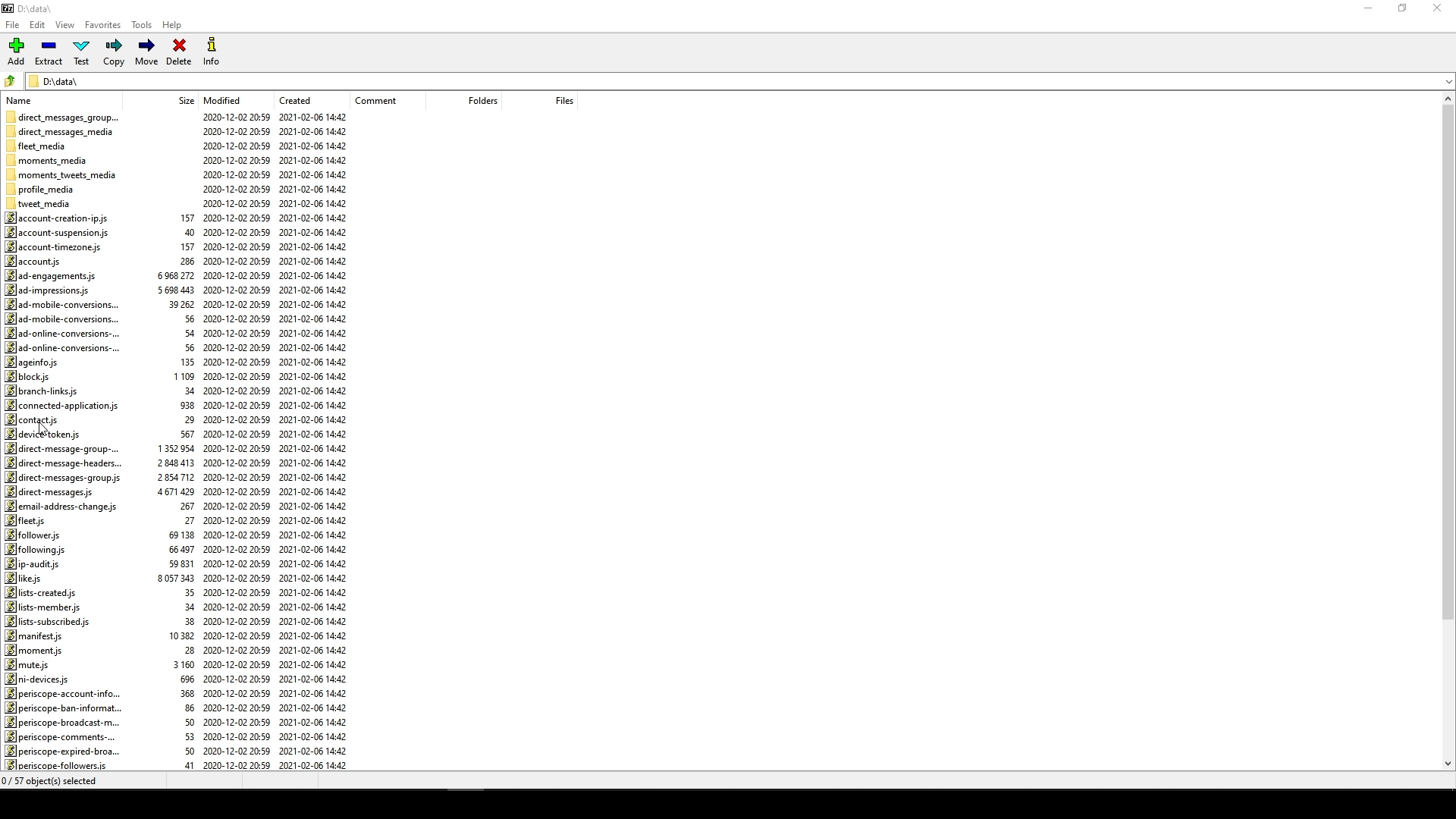 The image size is (1456, 819). What do you see at coordinates (67, 26) in the screenshot?
I see `View` at bounding box center [67, 26].